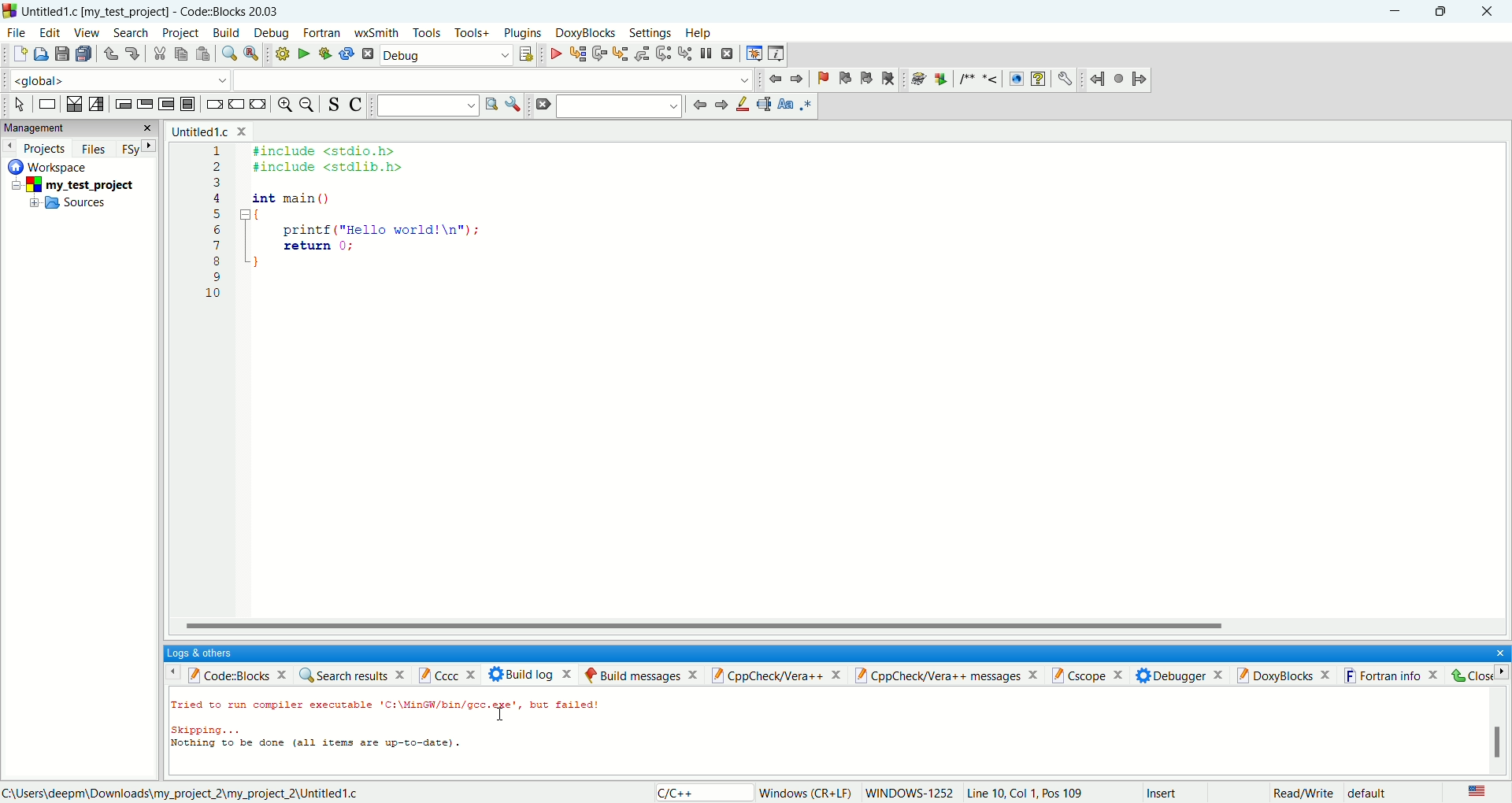 This screenshot has width=1512, height=803. What do you see at coordinates (1093, 675) in the screenshot?
I see `Cscope` at bounding box center [1093, 675].